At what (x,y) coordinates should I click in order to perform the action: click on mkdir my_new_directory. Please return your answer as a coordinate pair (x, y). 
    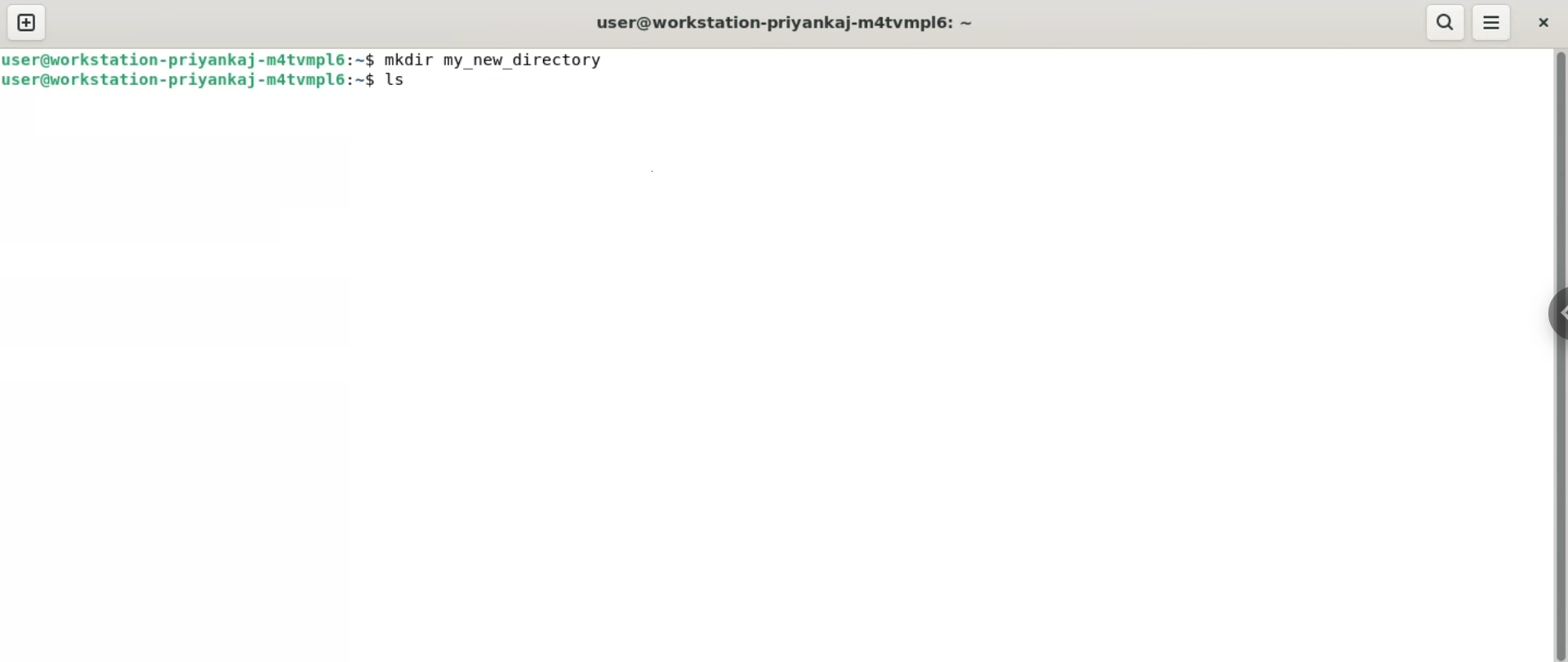
    Looking at the image, I should click on (501, 59).